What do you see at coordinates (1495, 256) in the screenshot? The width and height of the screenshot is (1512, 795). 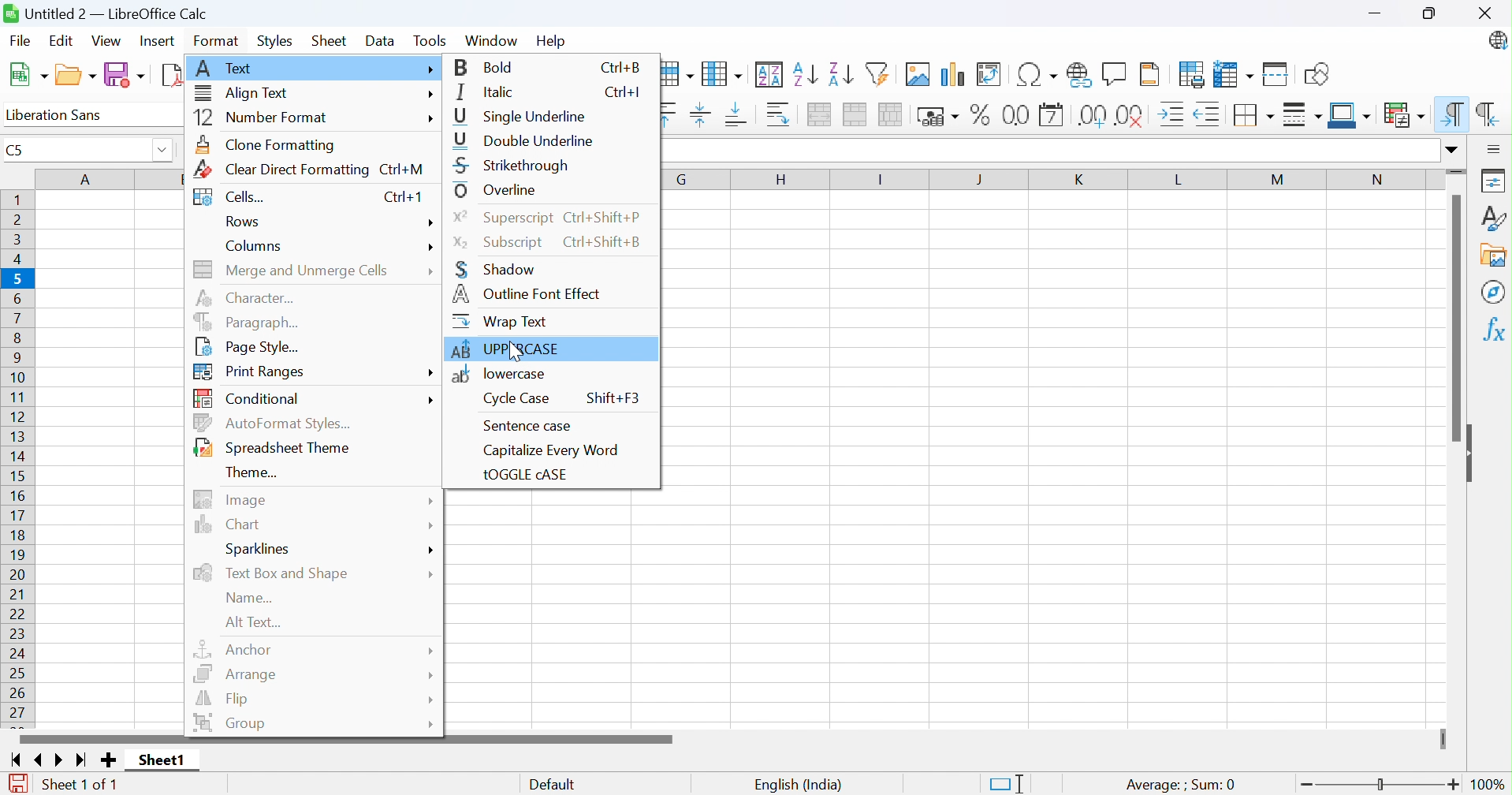 I see `Gallery` at bounding box center [1495, 256].